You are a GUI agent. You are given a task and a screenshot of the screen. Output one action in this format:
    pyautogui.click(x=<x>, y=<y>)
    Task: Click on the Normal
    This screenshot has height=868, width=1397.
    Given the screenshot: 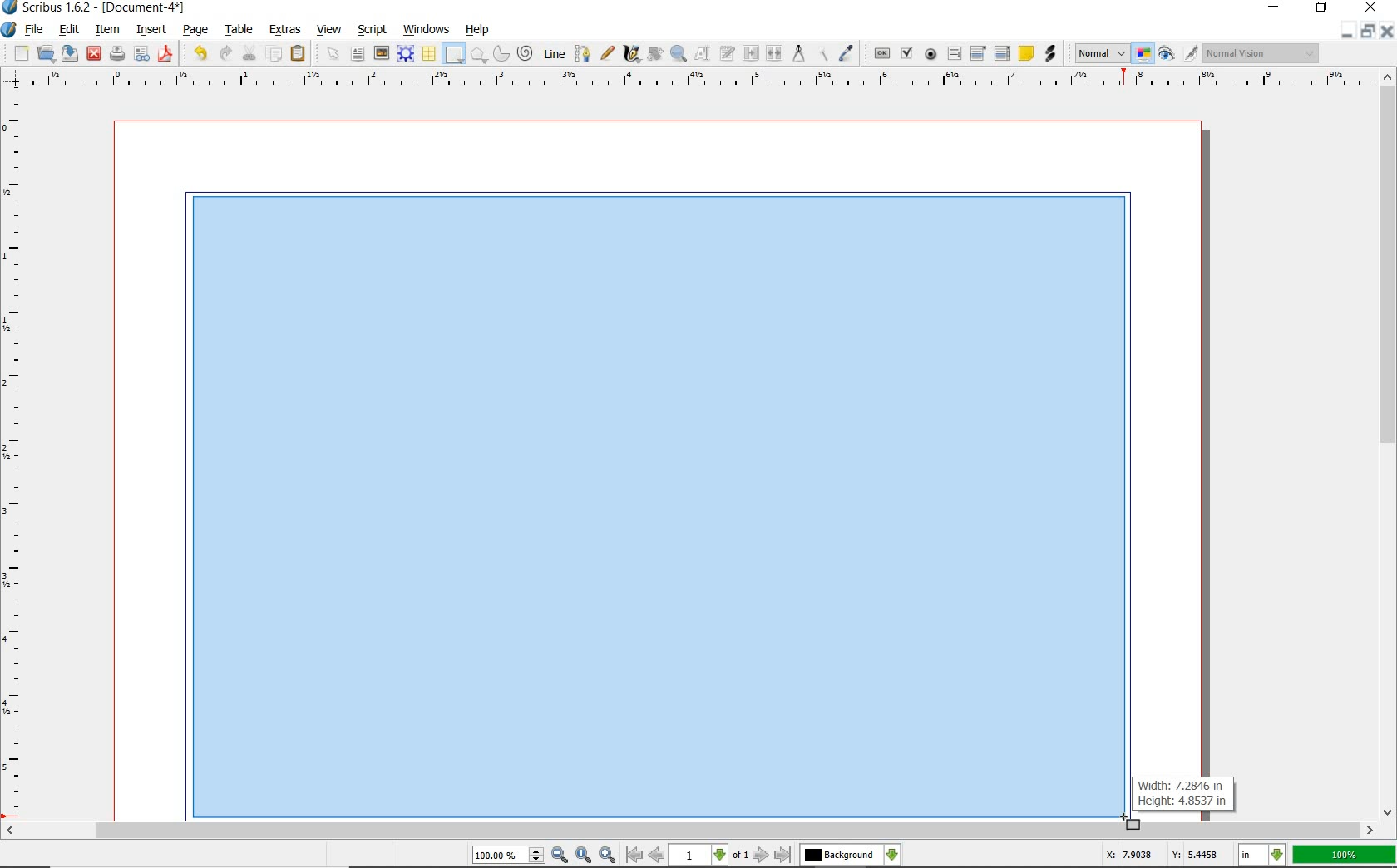 What is the action you would take?
    pyautogui.click(x=1101, y=53)
    